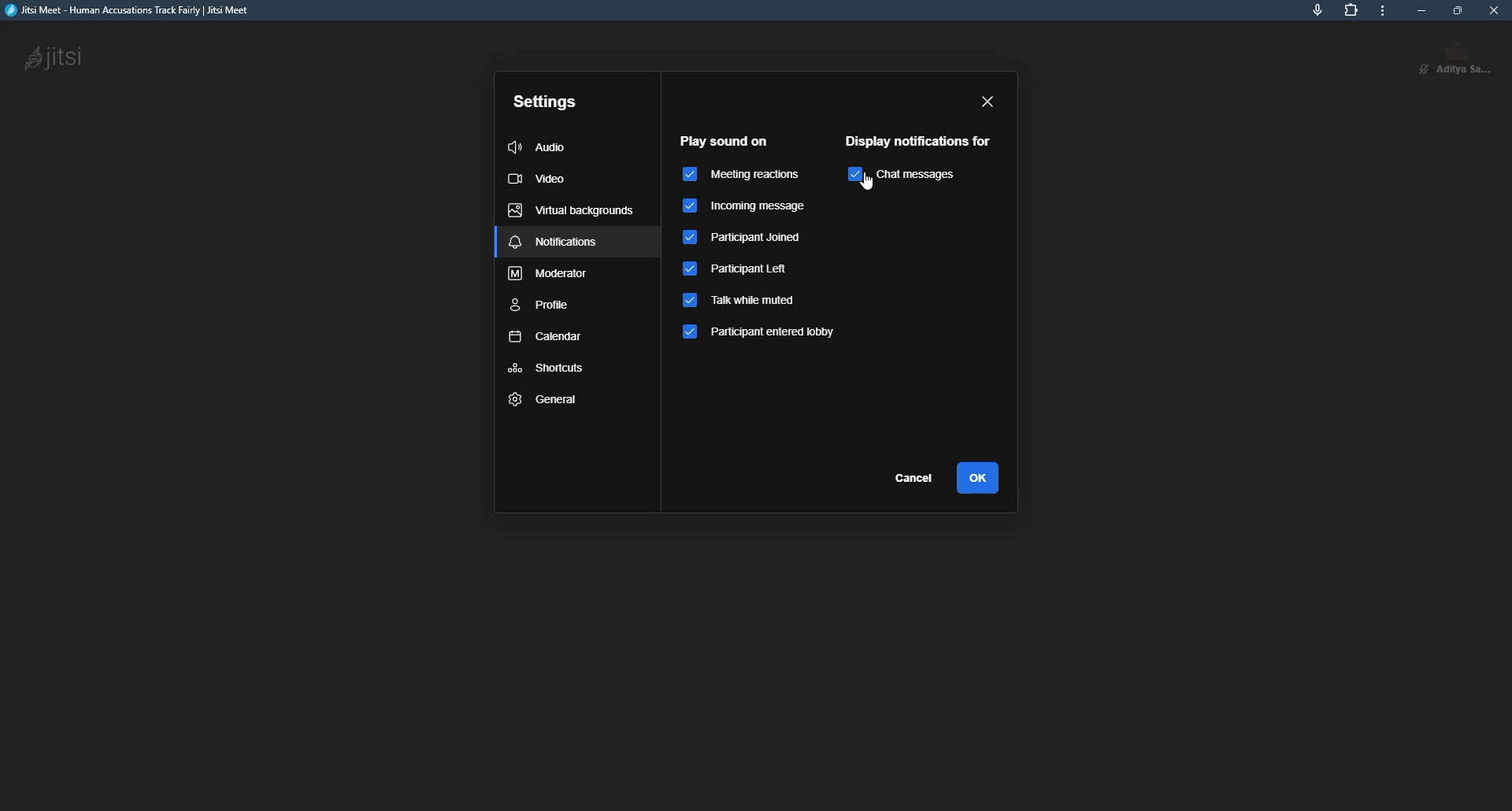 The height and width of the screenshot is (811, 1512). What do you see at coordinates (742, 206) in the screenshot?
I see `incoming message` at bounding box center [742, 206].